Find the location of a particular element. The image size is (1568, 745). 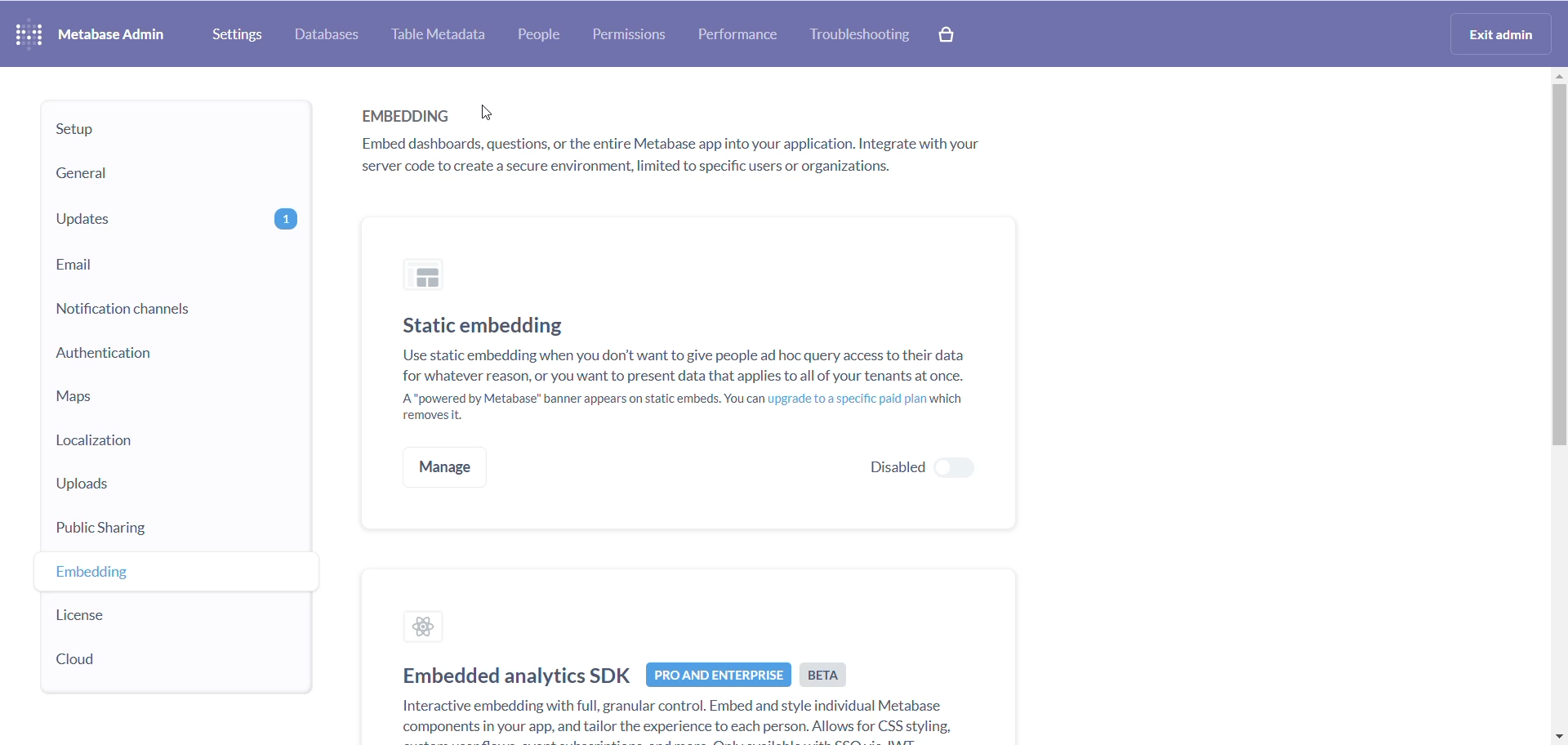

cloud is located at coordinates (140, 665).